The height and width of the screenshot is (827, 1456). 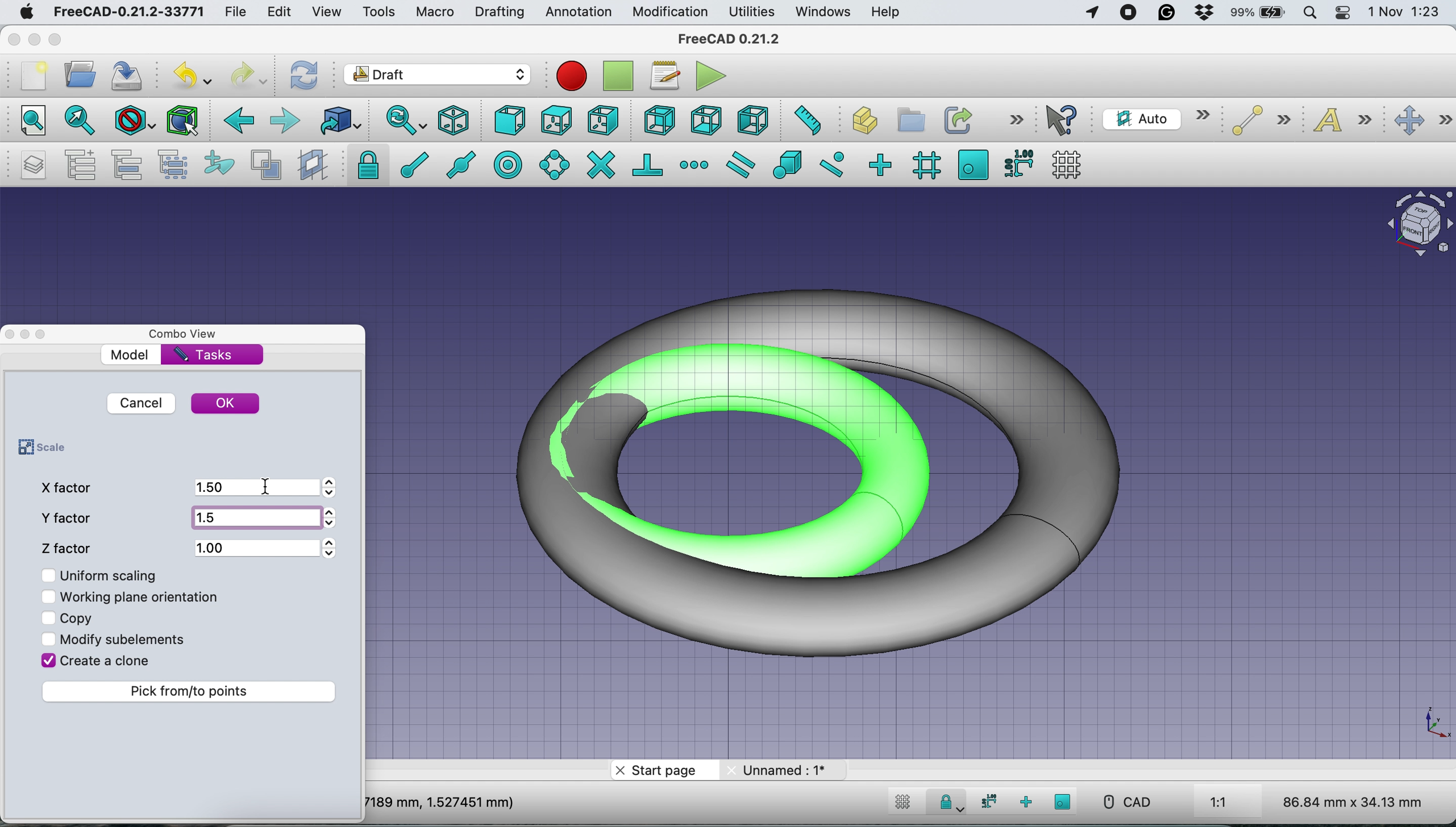 What do you see at coordinates (956, 119) in the screenshot?
I see `make link` at bounding box center [956, 119].